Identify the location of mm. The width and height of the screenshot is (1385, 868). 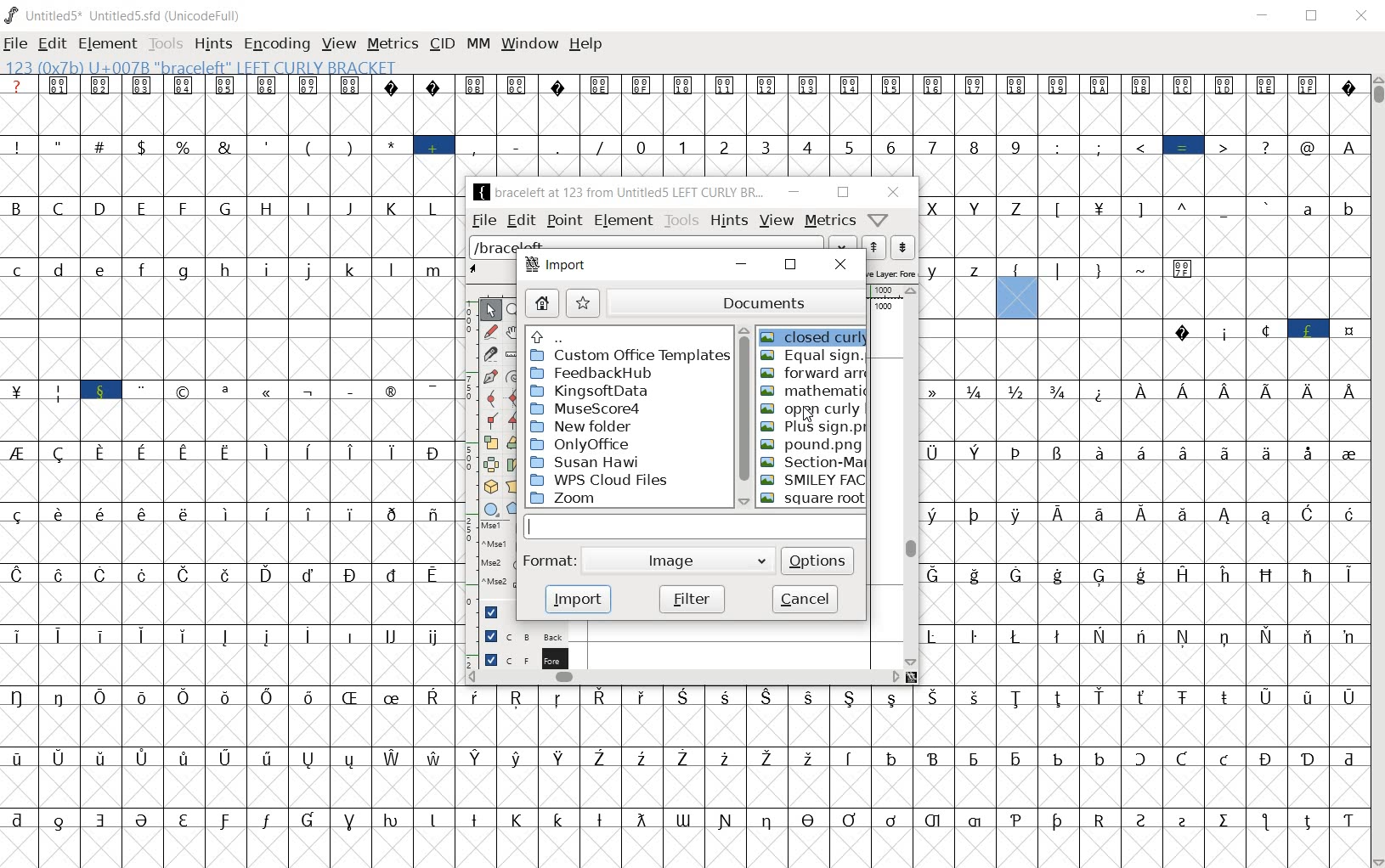
(478, 45).